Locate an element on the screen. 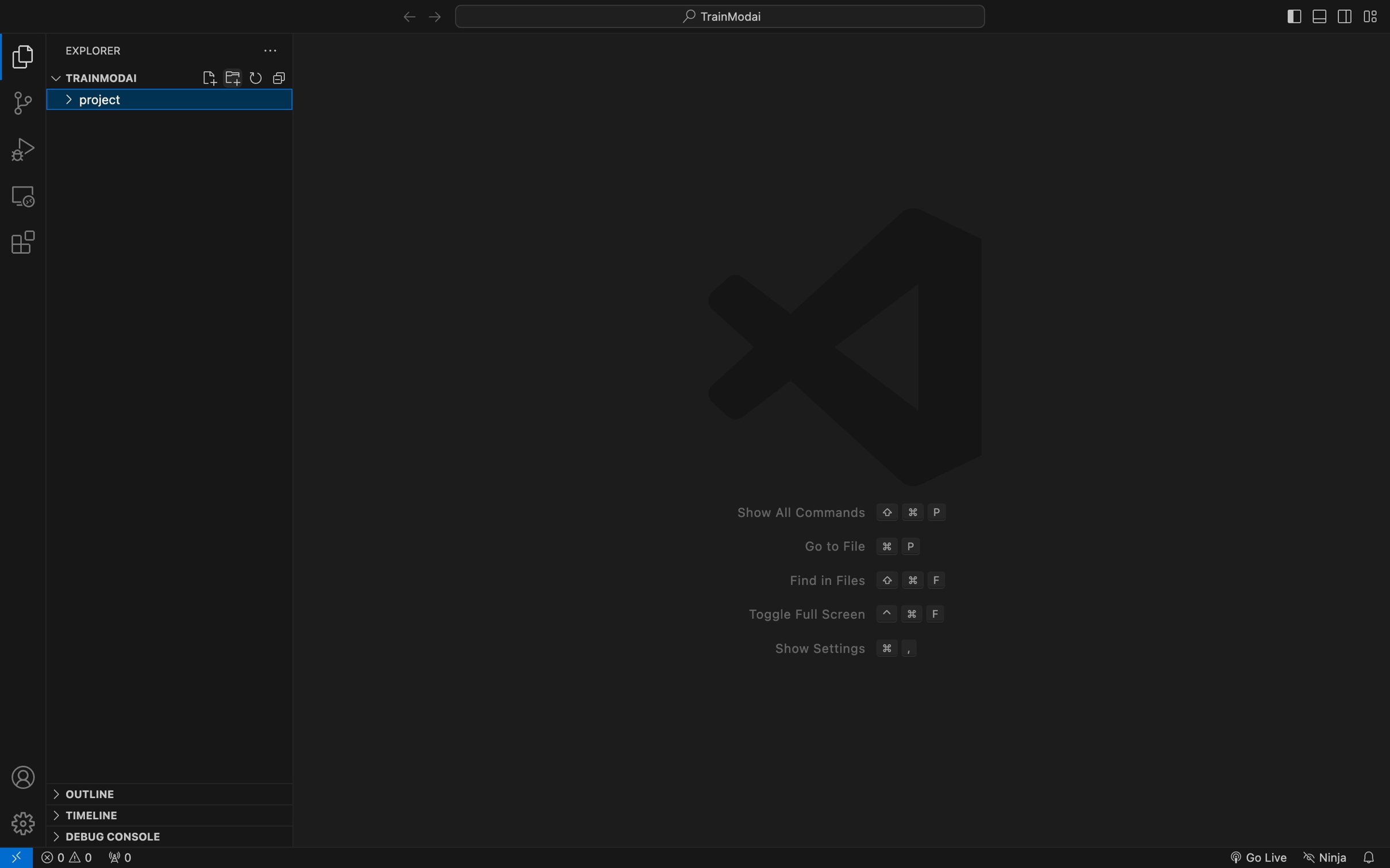  remote explore is located at coordinates (22, 195).